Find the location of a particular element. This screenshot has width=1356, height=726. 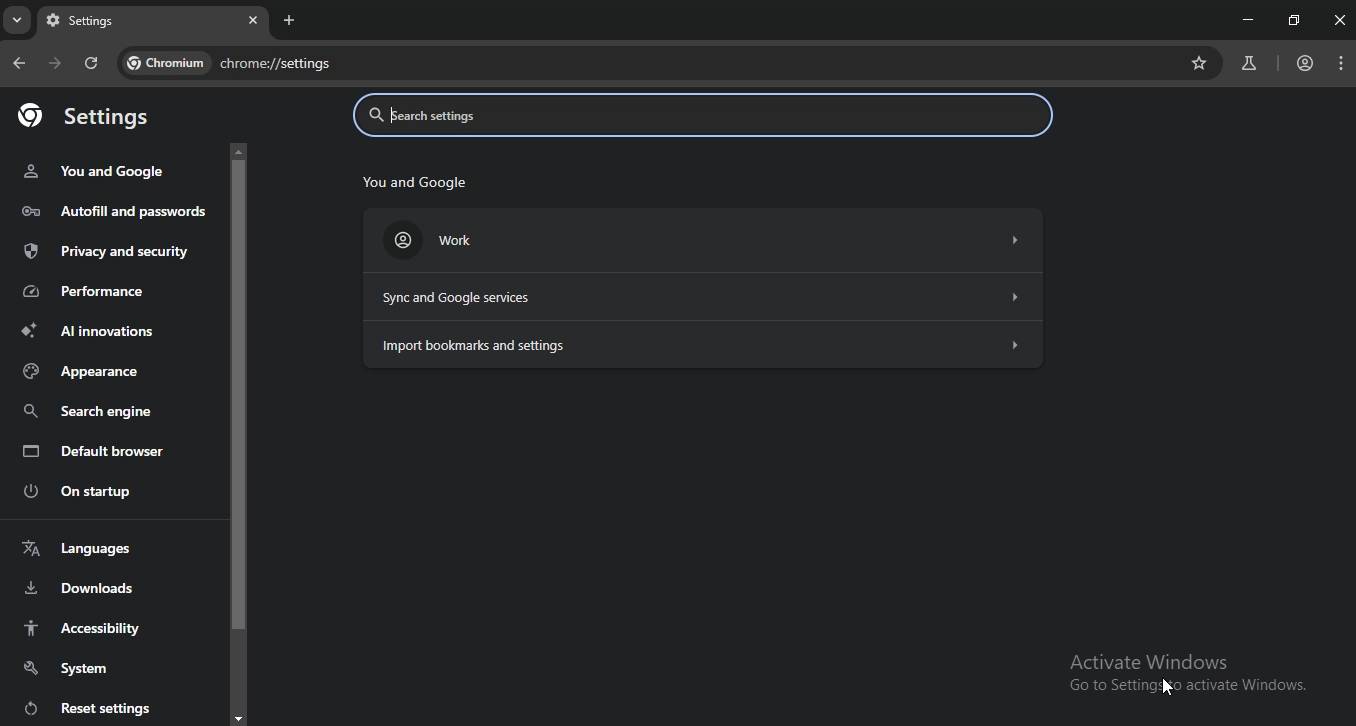

chromium is located at coordinates (162, 61).